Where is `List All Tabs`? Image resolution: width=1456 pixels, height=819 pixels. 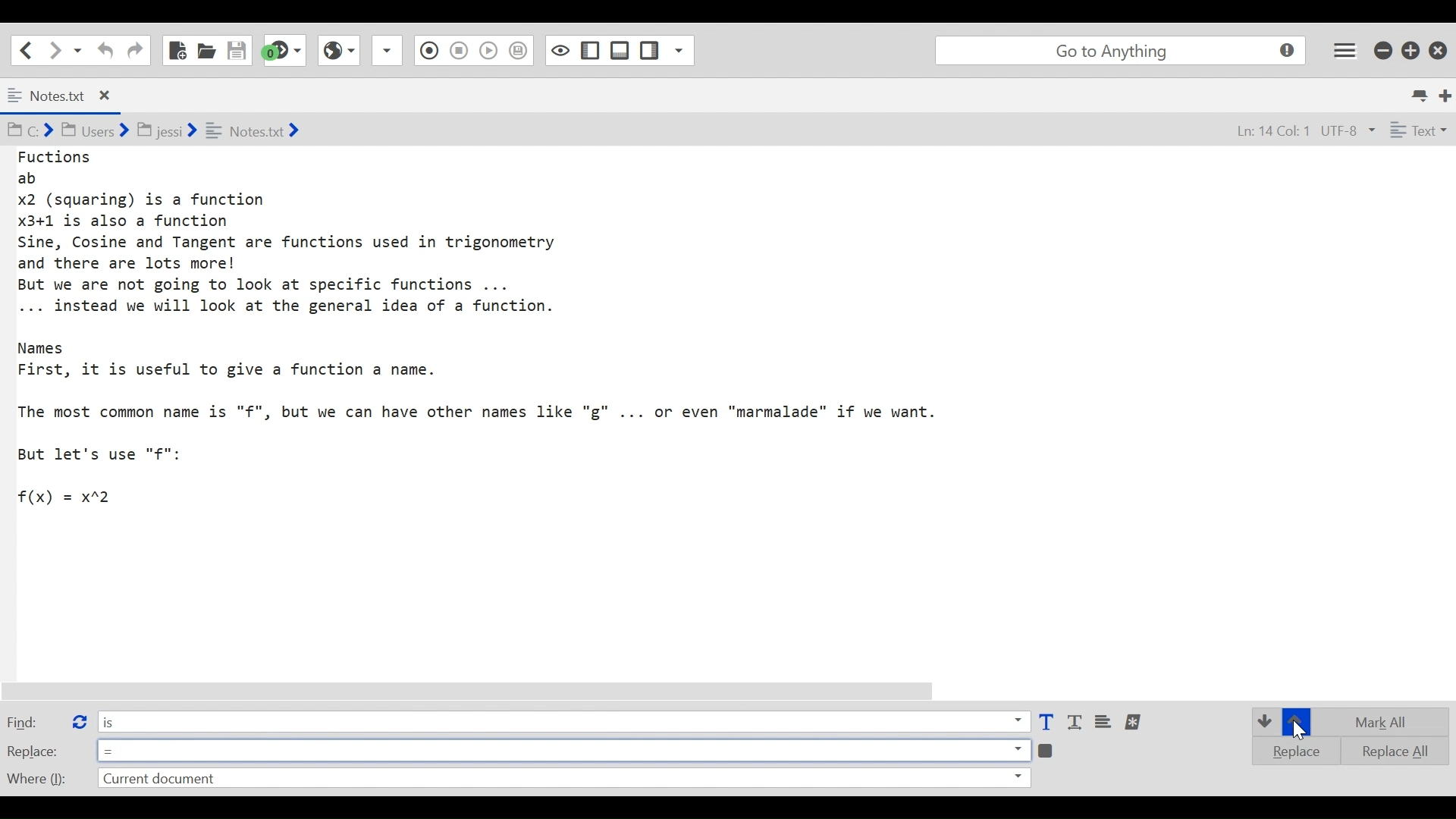 List All Tabs is located at coordinates (1421, 93).